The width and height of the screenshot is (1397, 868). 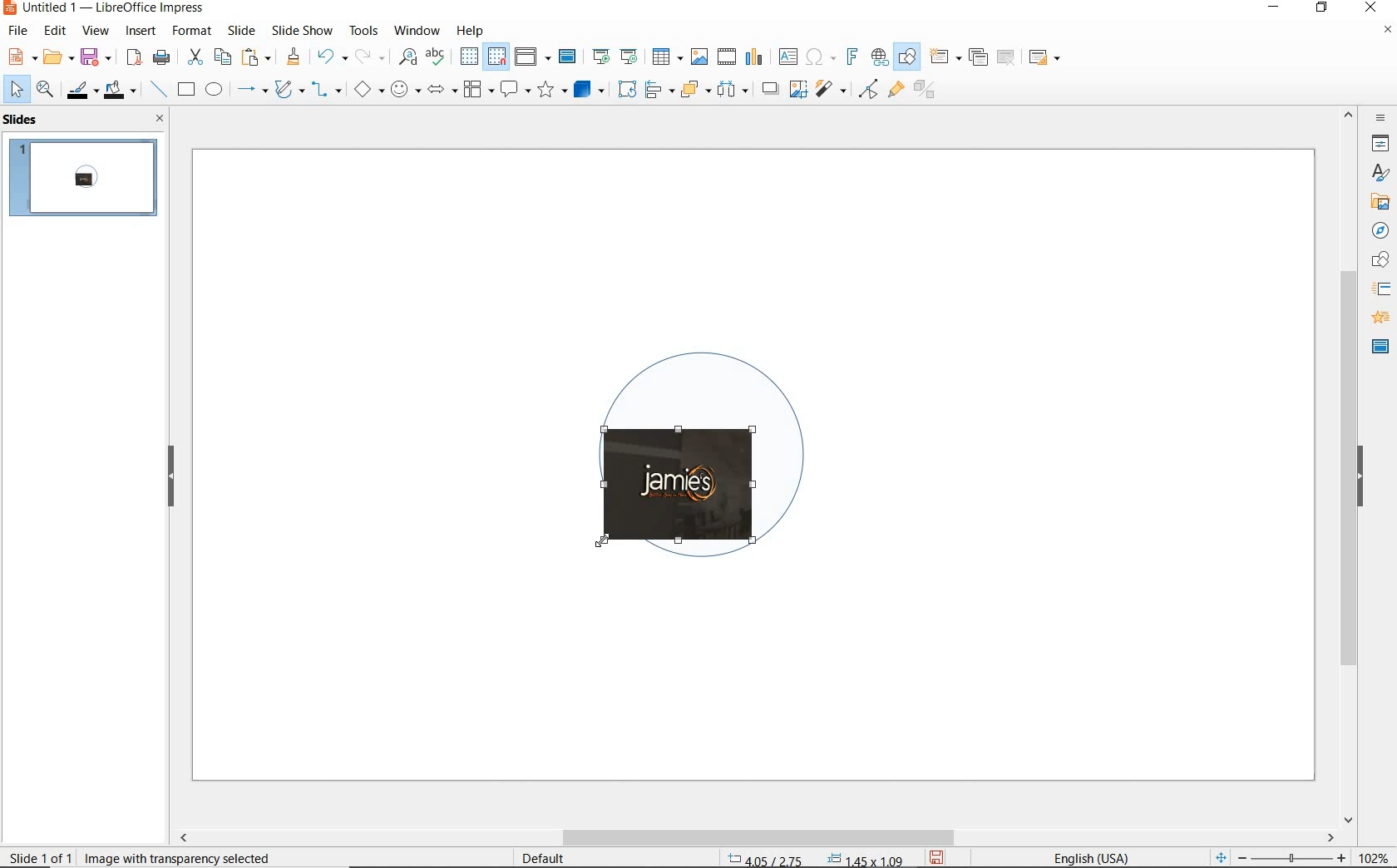 What do you see at coordinates (472, 28) in the screenshot?
I see `help` at bounding box center [472, 28].